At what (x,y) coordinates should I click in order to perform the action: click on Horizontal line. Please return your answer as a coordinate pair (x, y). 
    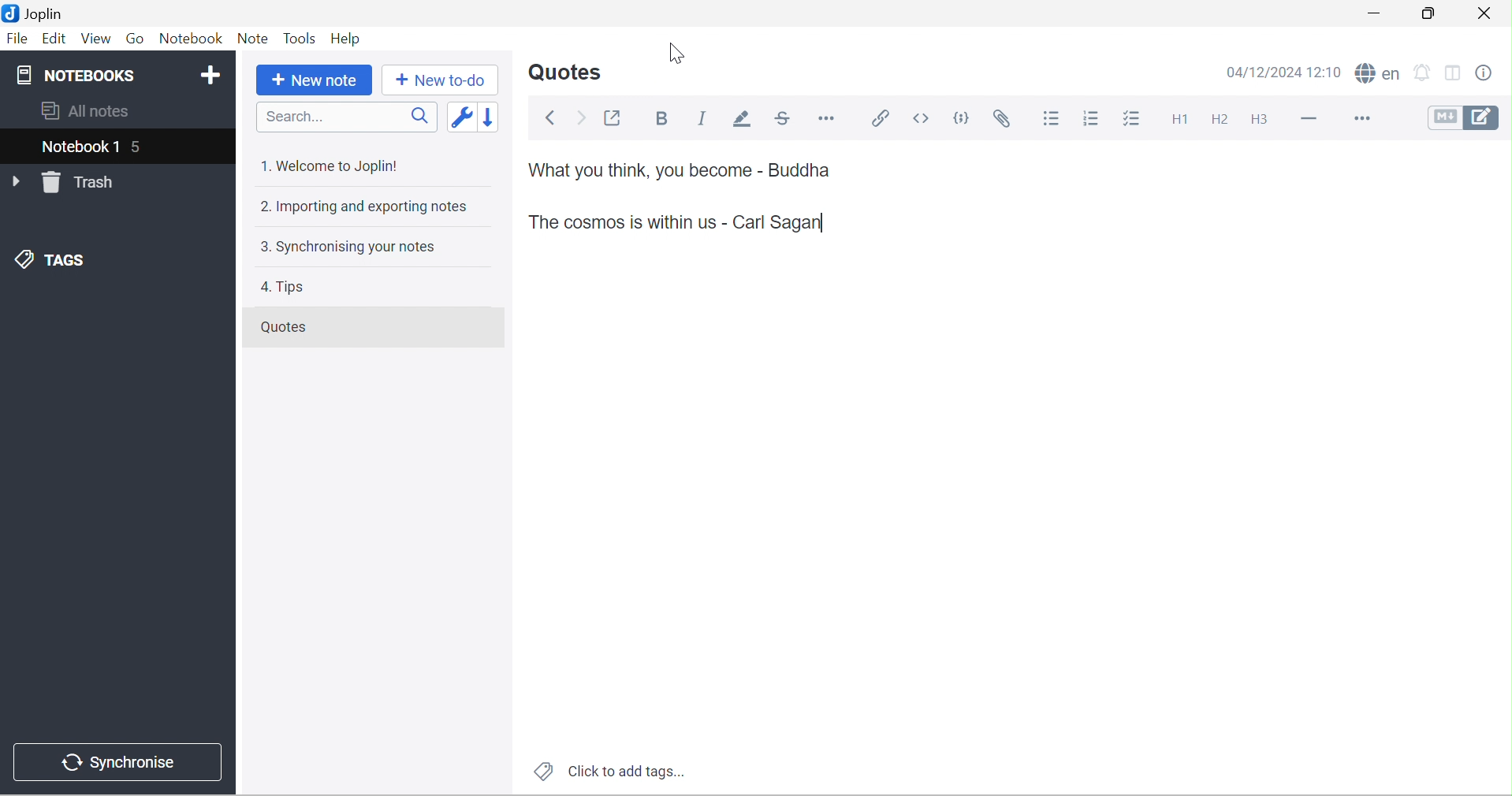
    Looking at the image, I should click on (1304, 121).